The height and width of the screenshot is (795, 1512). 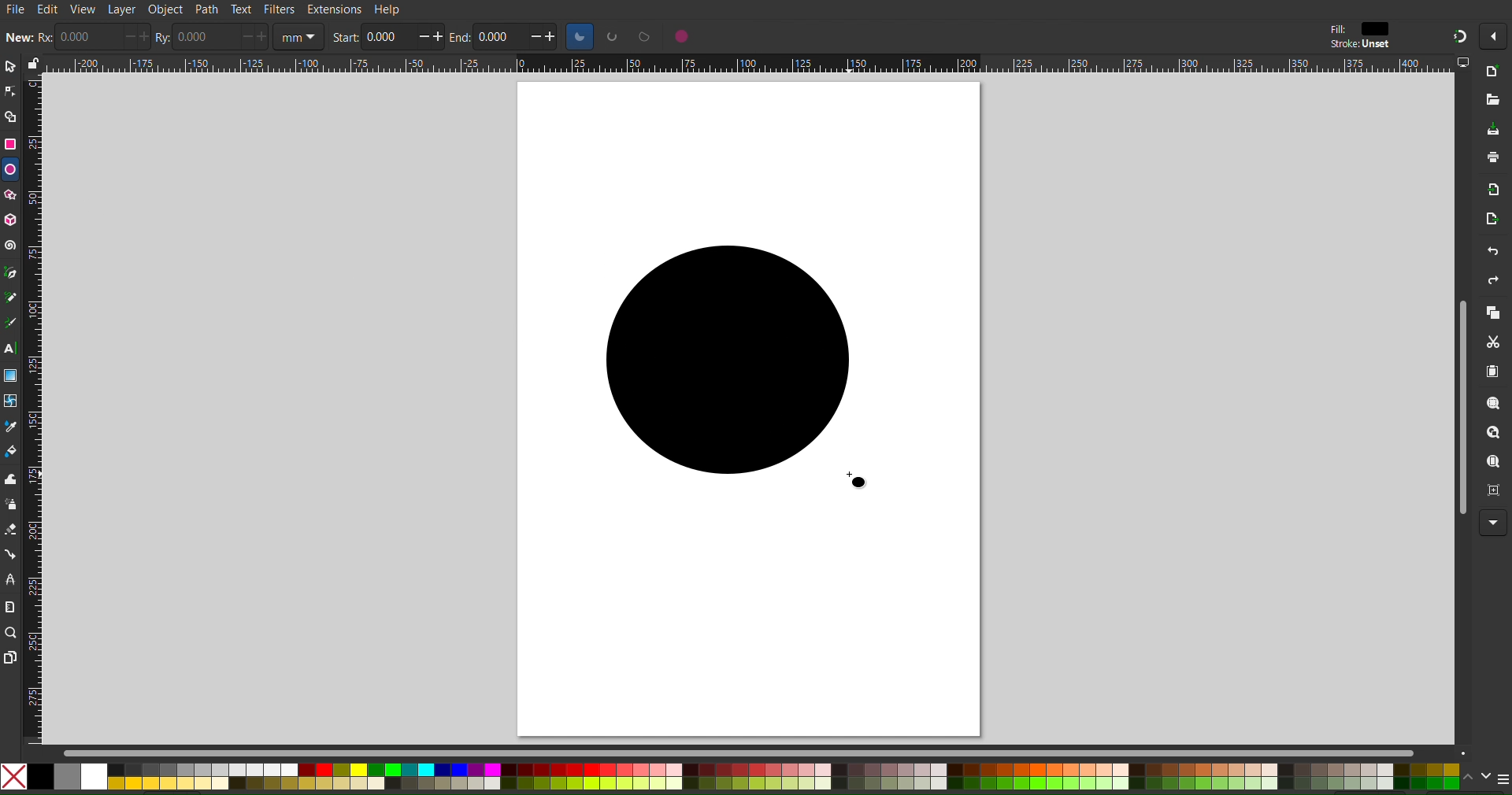 I want to click on Pen Tool, so click(x=9, y=272).